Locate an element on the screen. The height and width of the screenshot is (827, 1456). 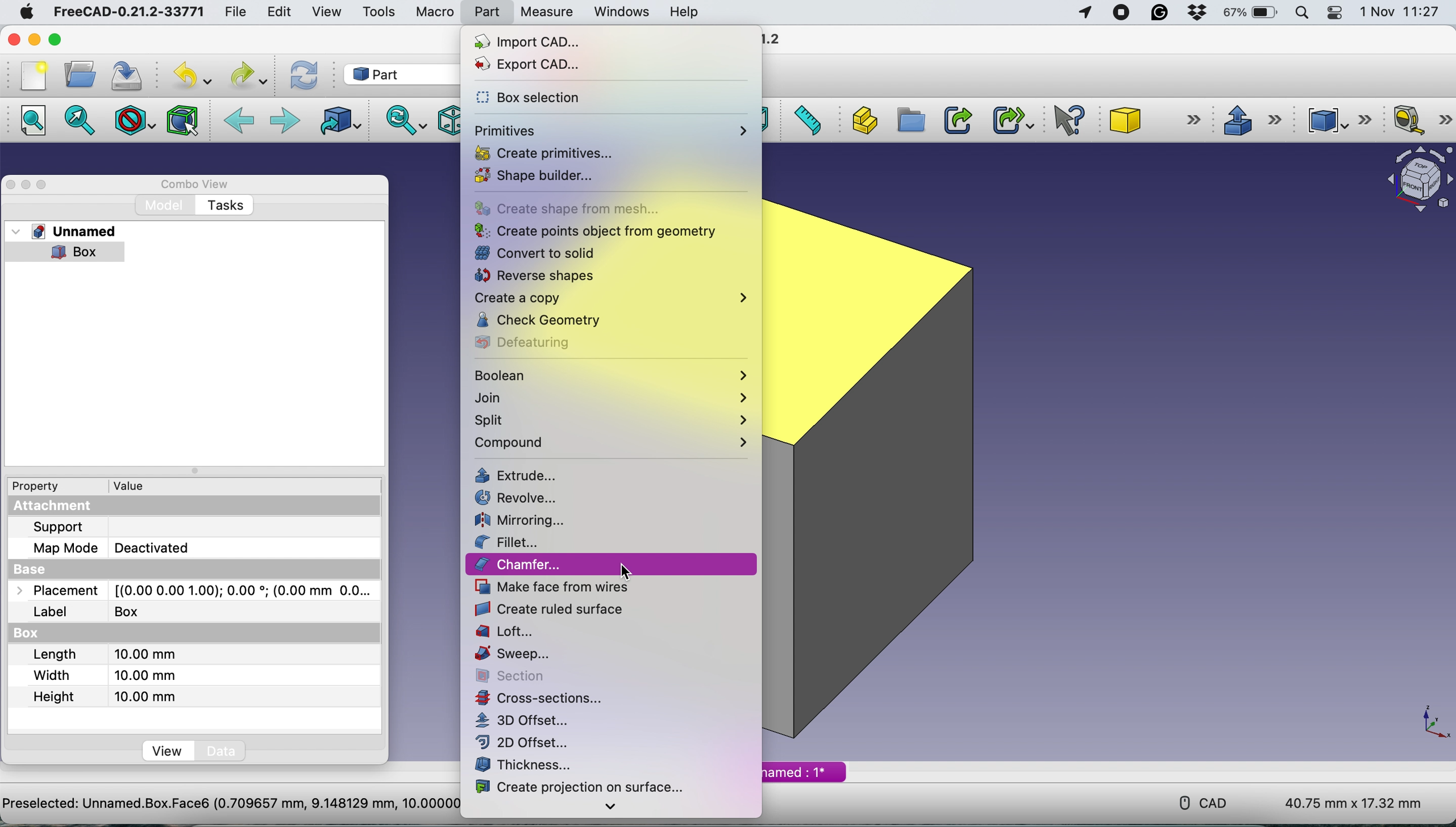
mirroring is located at coordinates (521, 520).